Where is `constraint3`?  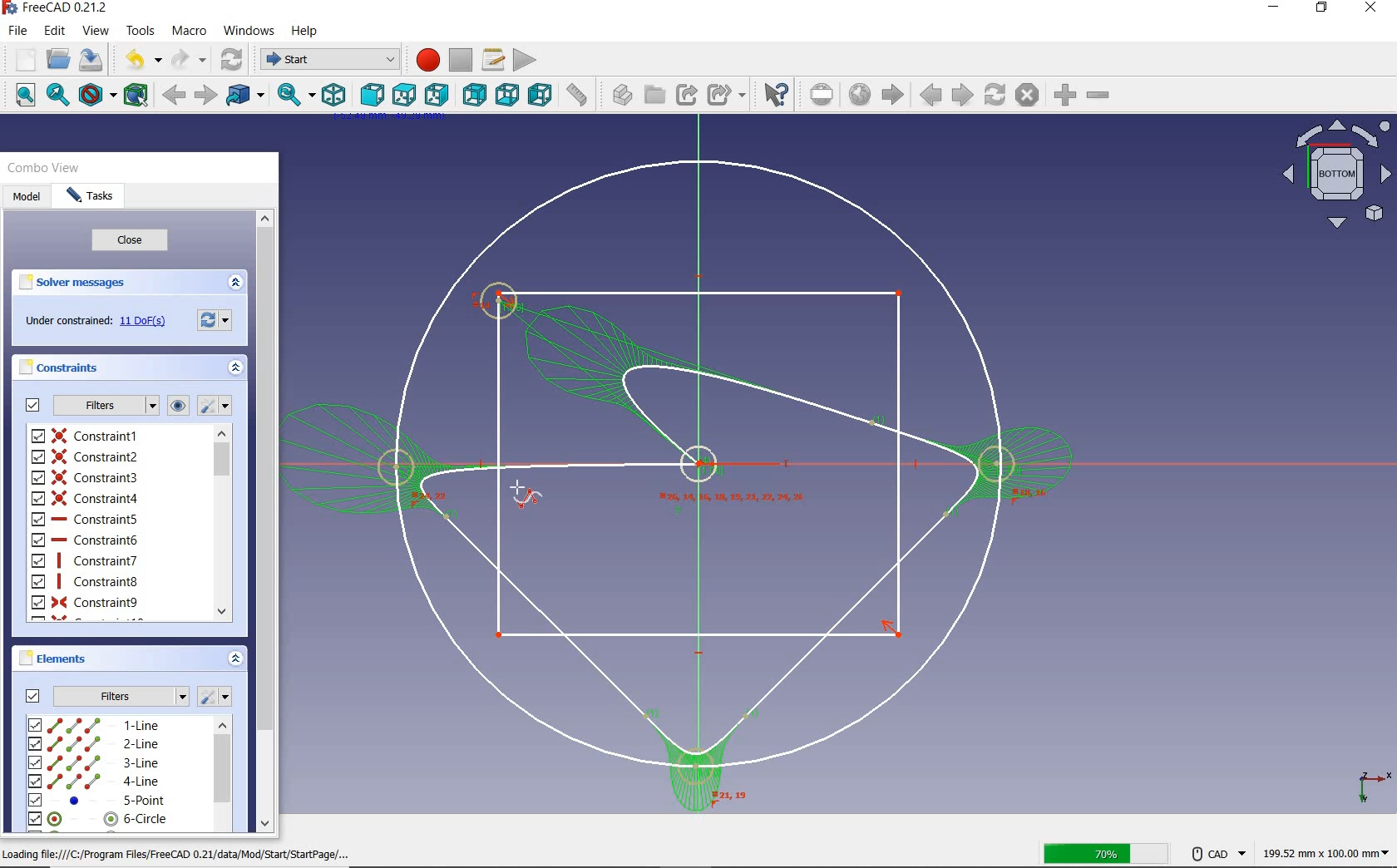 constraint3 is located at coordinates (86, 476).